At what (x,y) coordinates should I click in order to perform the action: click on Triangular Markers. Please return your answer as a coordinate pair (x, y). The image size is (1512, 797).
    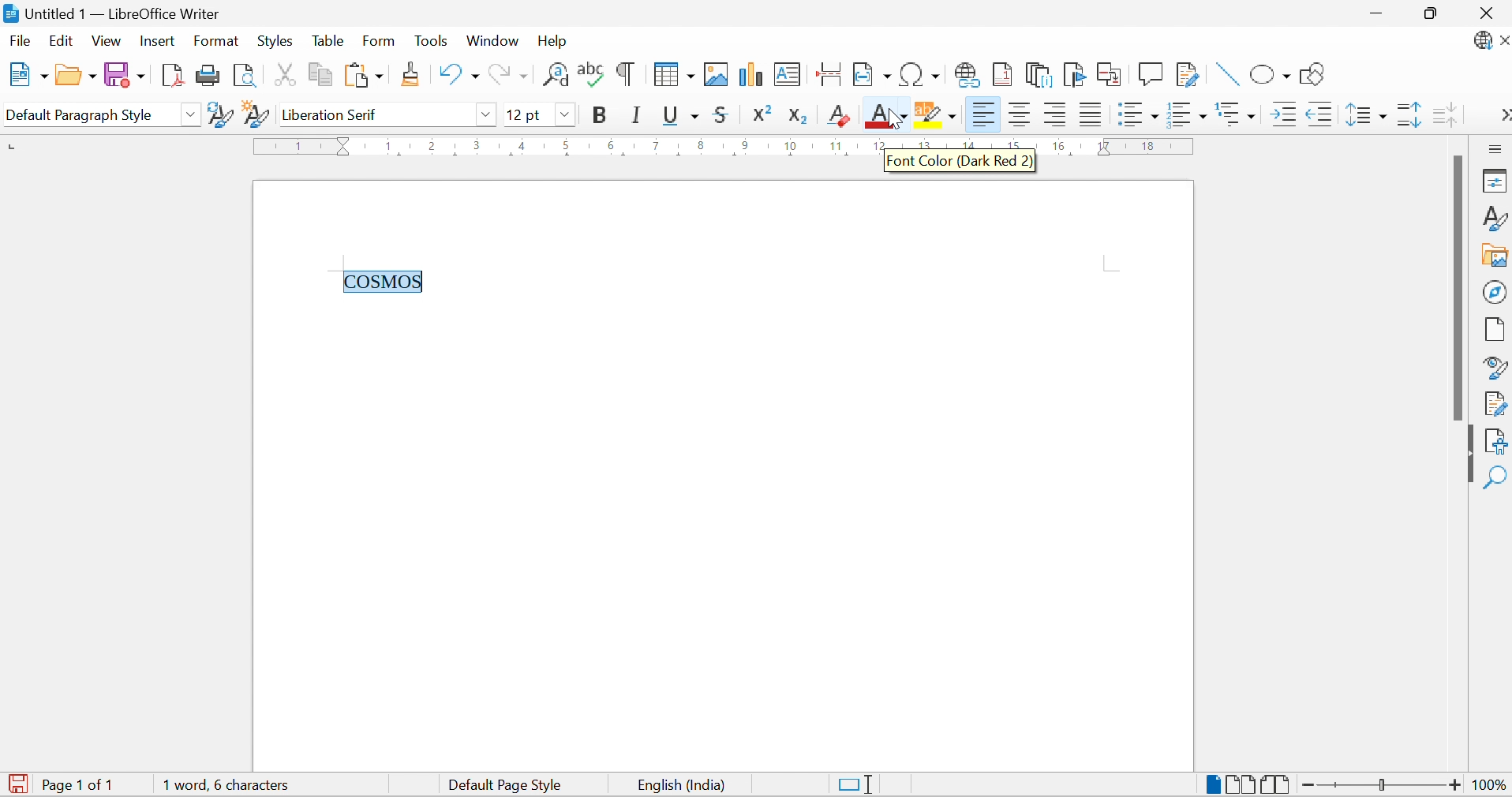
    Looking at the image, I should click on (345, 146).